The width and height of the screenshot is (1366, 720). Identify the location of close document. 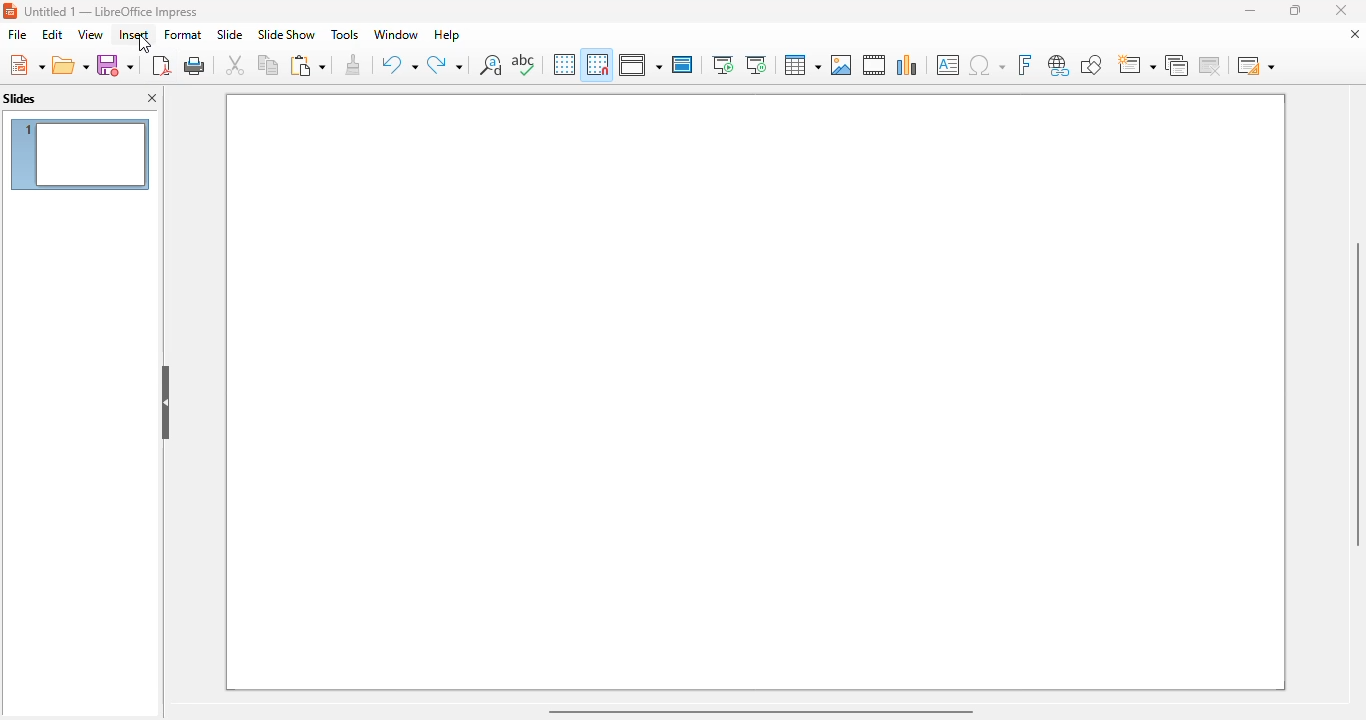
(1354, 34).